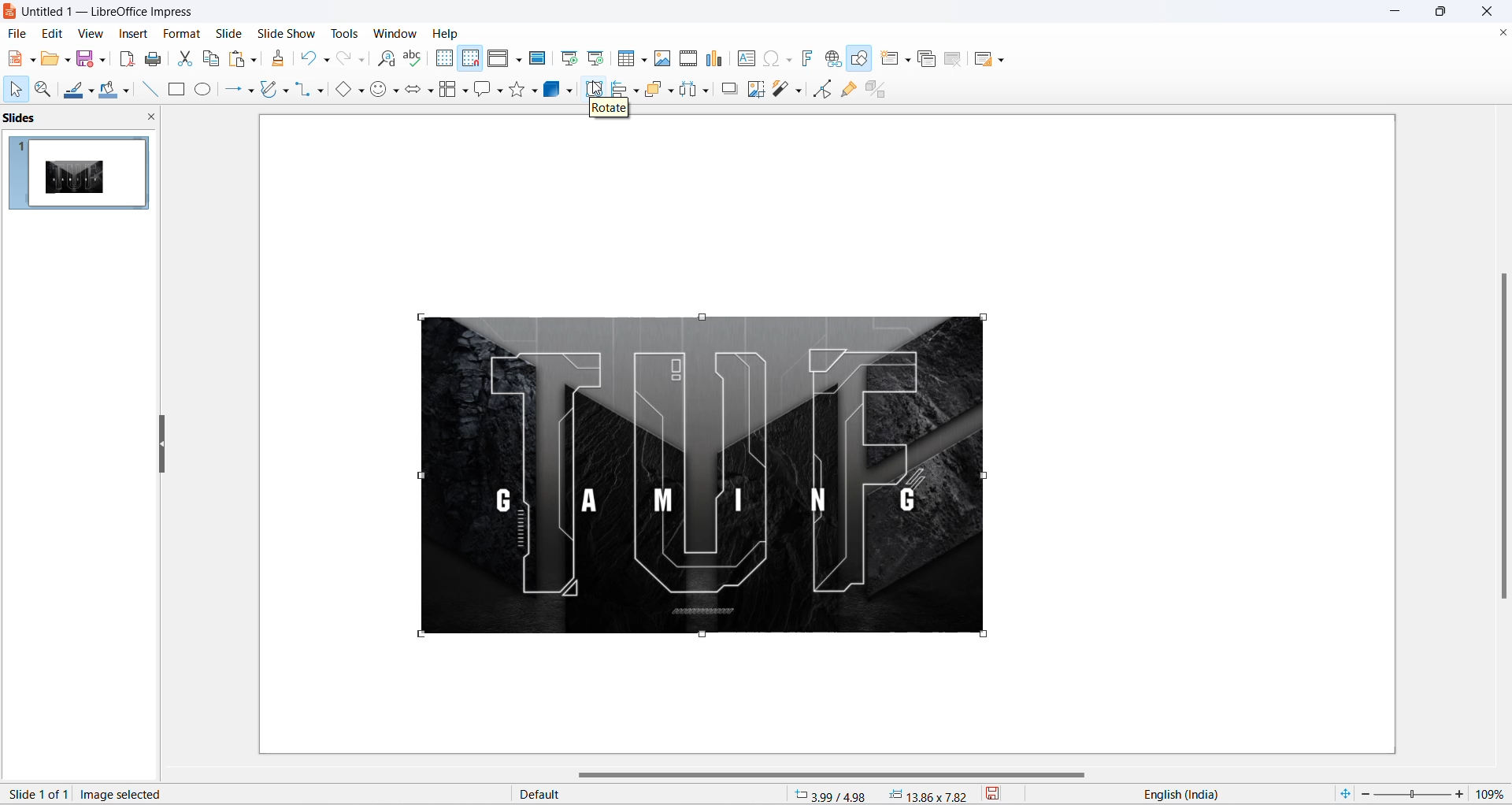 This screenshot has height=805, width=1512. What do you see at coordinates (1343, 793) in the screenshot?
I see `fit current slide to windows` at bounding box center [1343, 793].